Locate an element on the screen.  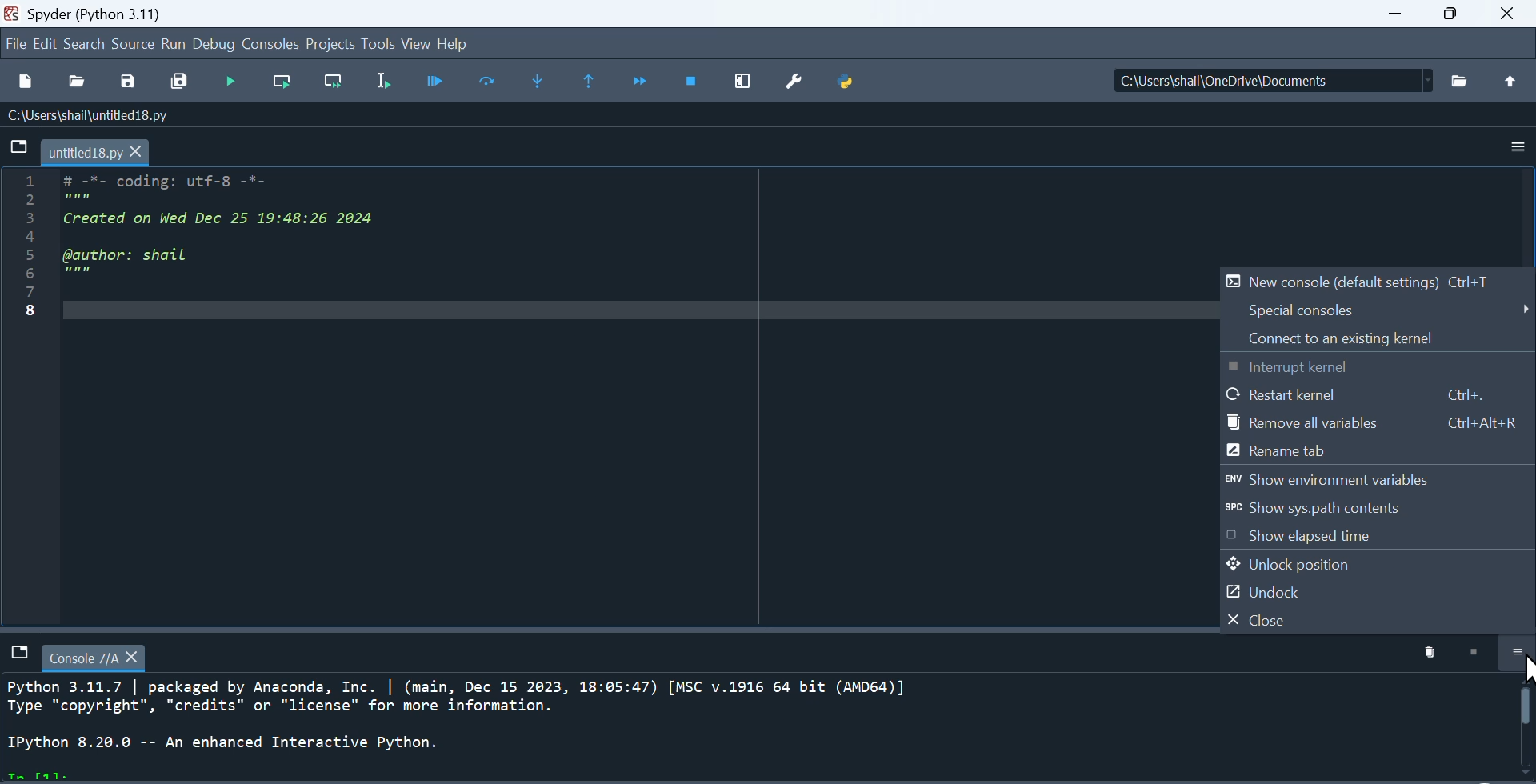
more options is located at coordinates (1517, 652).